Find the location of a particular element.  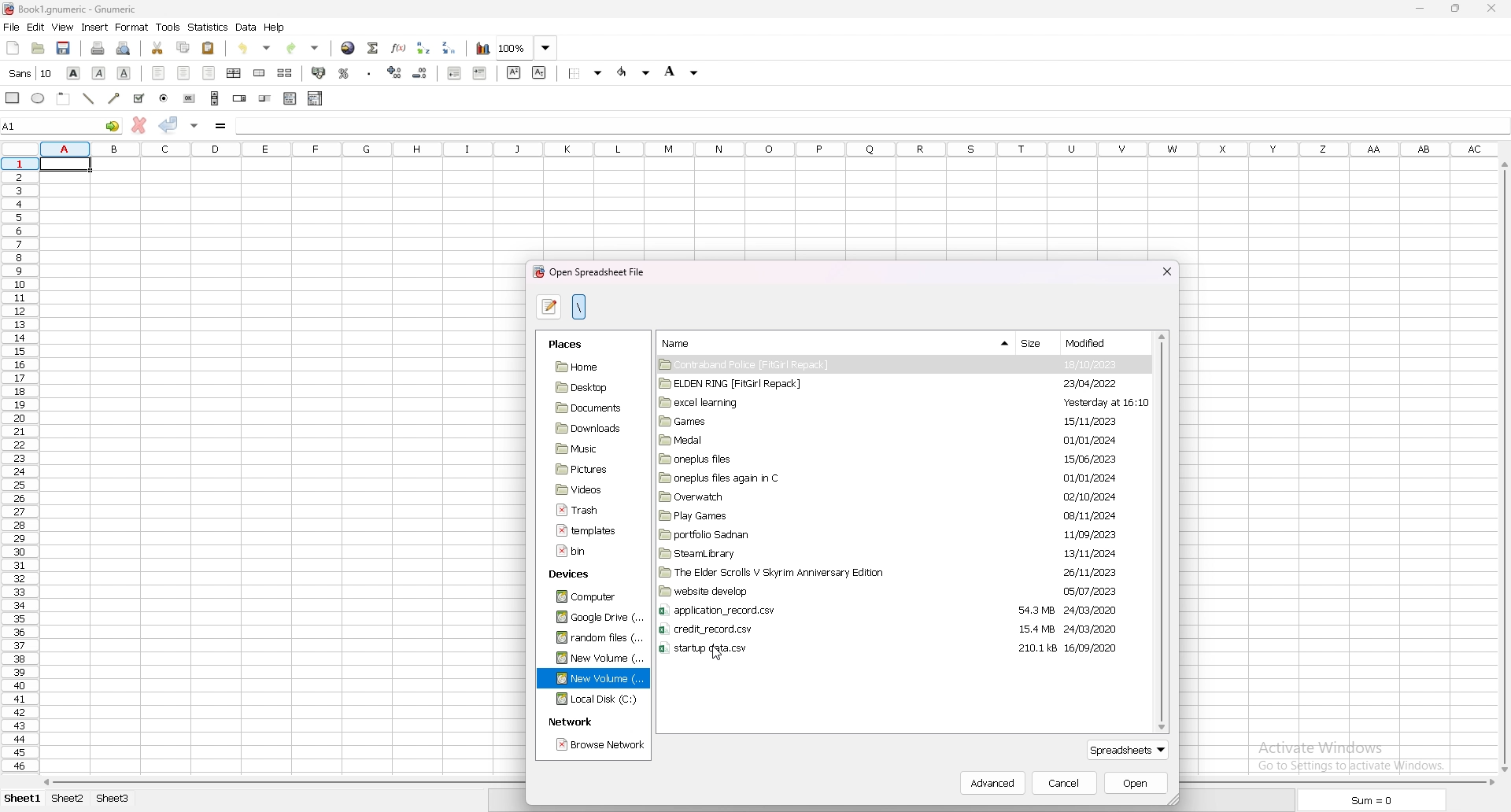

thousands separator is located at coordinates (369, 72).